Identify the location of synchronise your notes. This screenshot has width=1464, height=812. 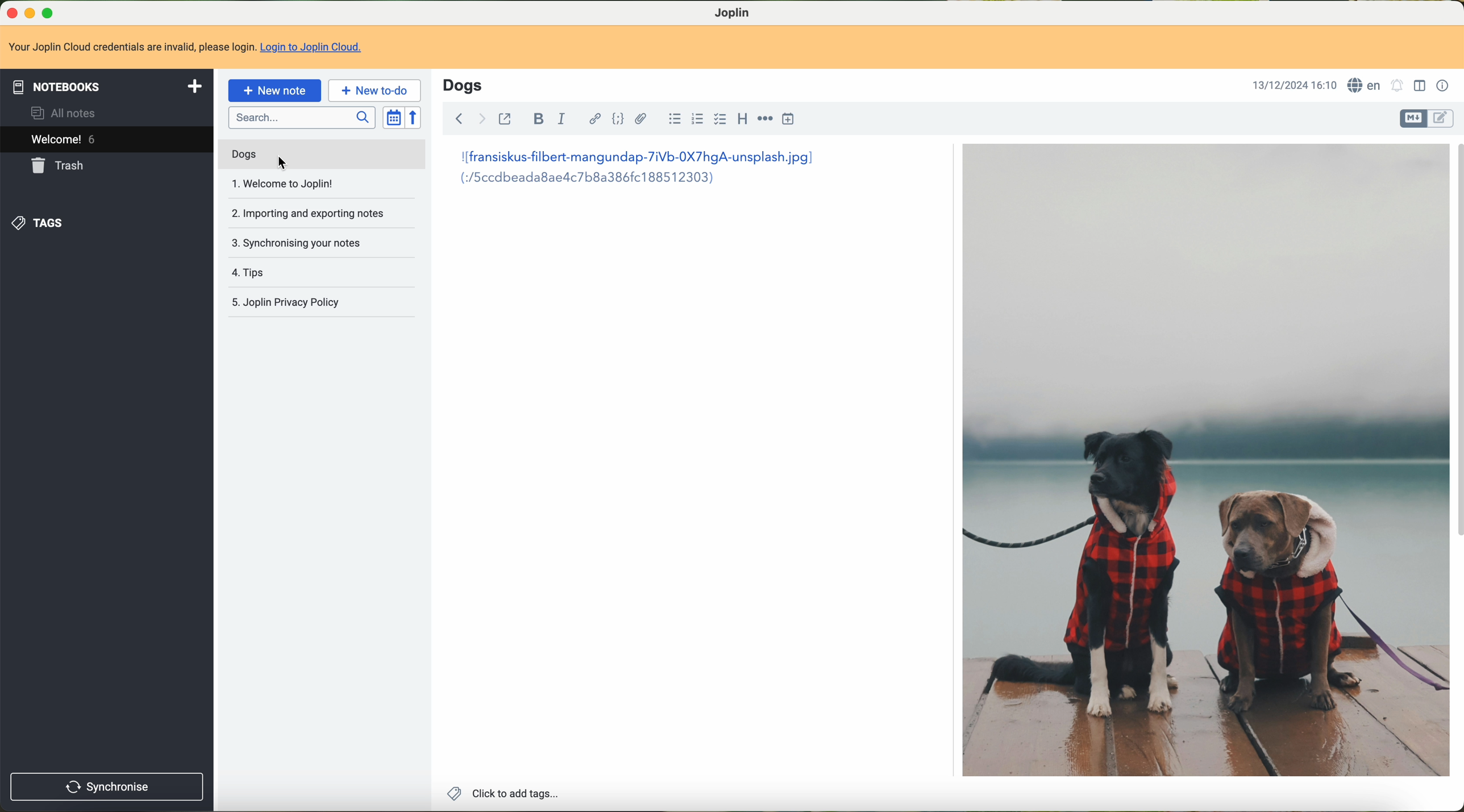
(297, 240).